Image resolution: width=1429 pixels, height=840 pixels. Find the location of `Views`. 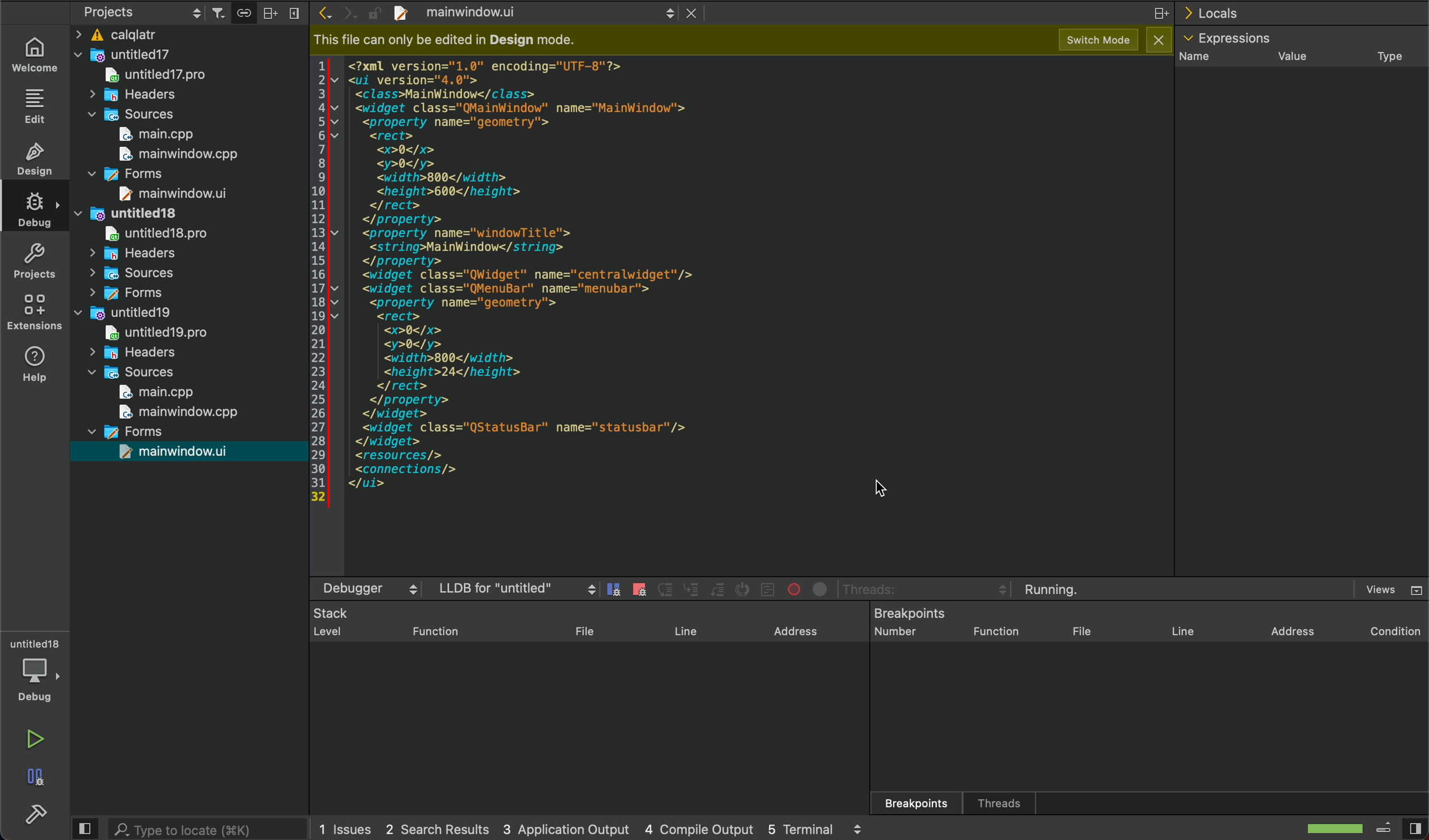

Views is located at coordinates (1384, 583).